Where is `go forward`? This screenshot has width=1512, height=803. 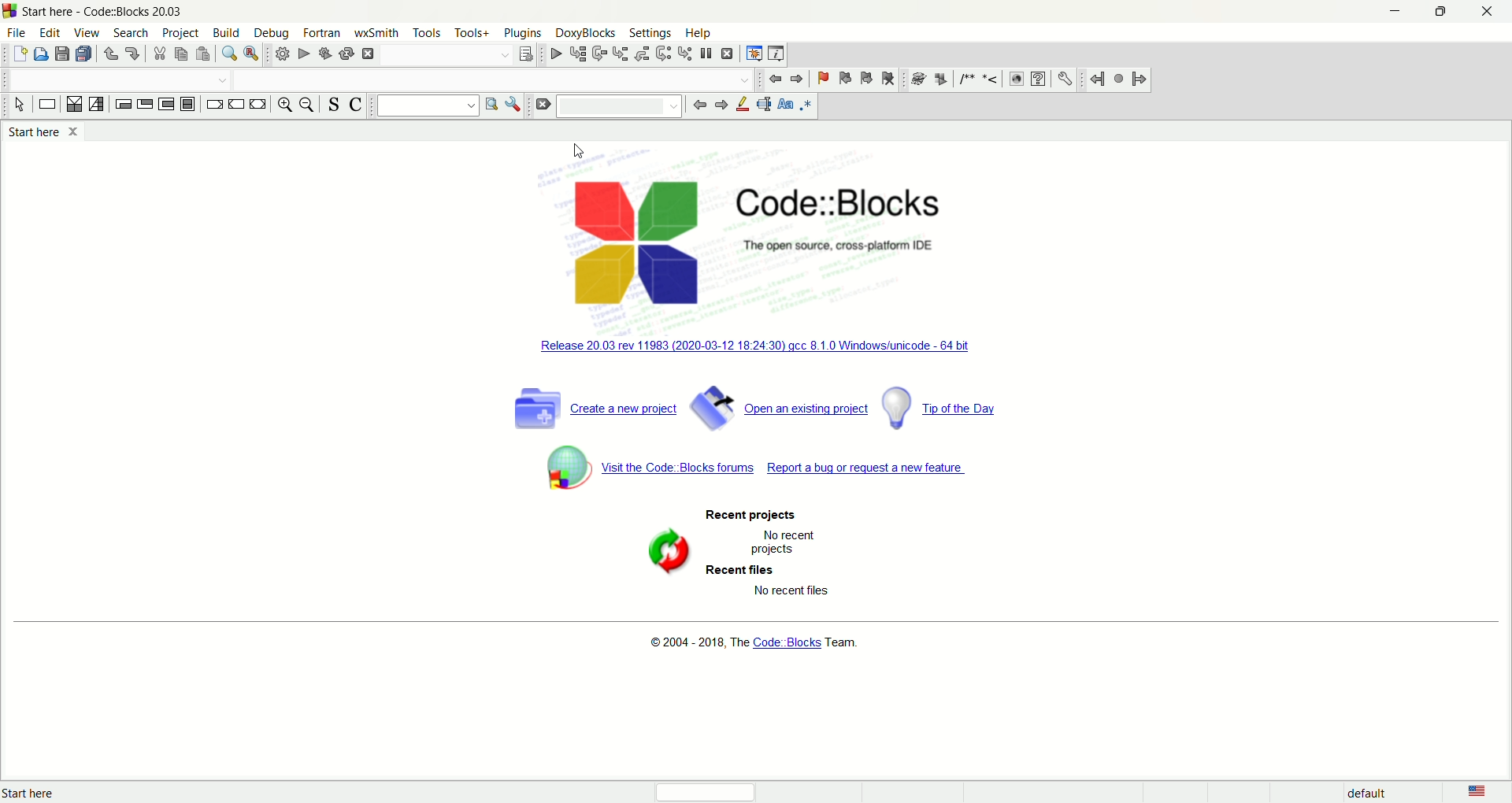
go forward is located at coordinates (720, 105).